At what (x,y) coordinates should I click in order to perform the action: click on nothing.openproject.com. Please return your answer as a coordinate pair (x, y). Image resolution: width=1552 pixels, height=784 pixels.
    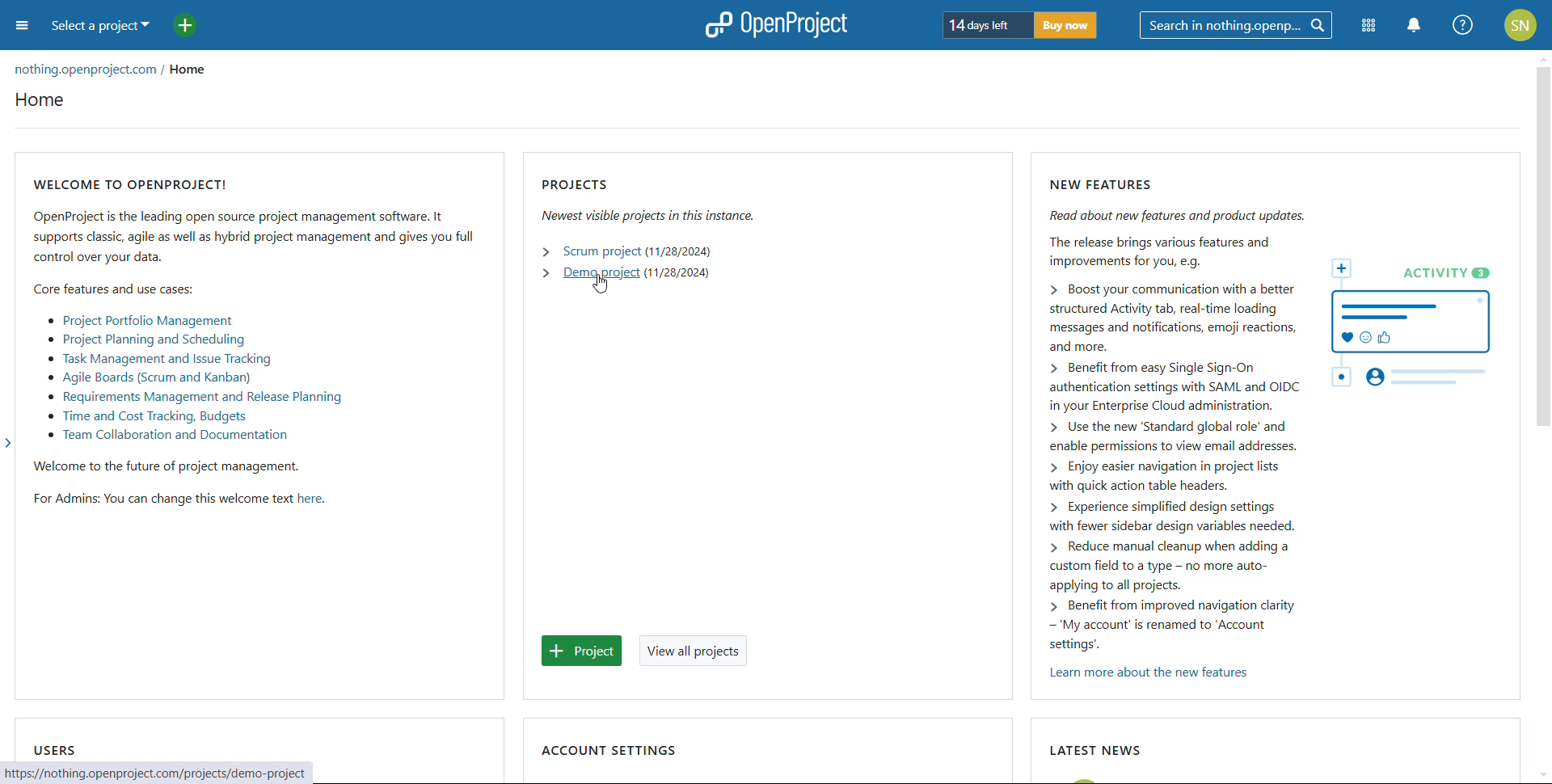
    Looking at the image, I should click on (87, 67).